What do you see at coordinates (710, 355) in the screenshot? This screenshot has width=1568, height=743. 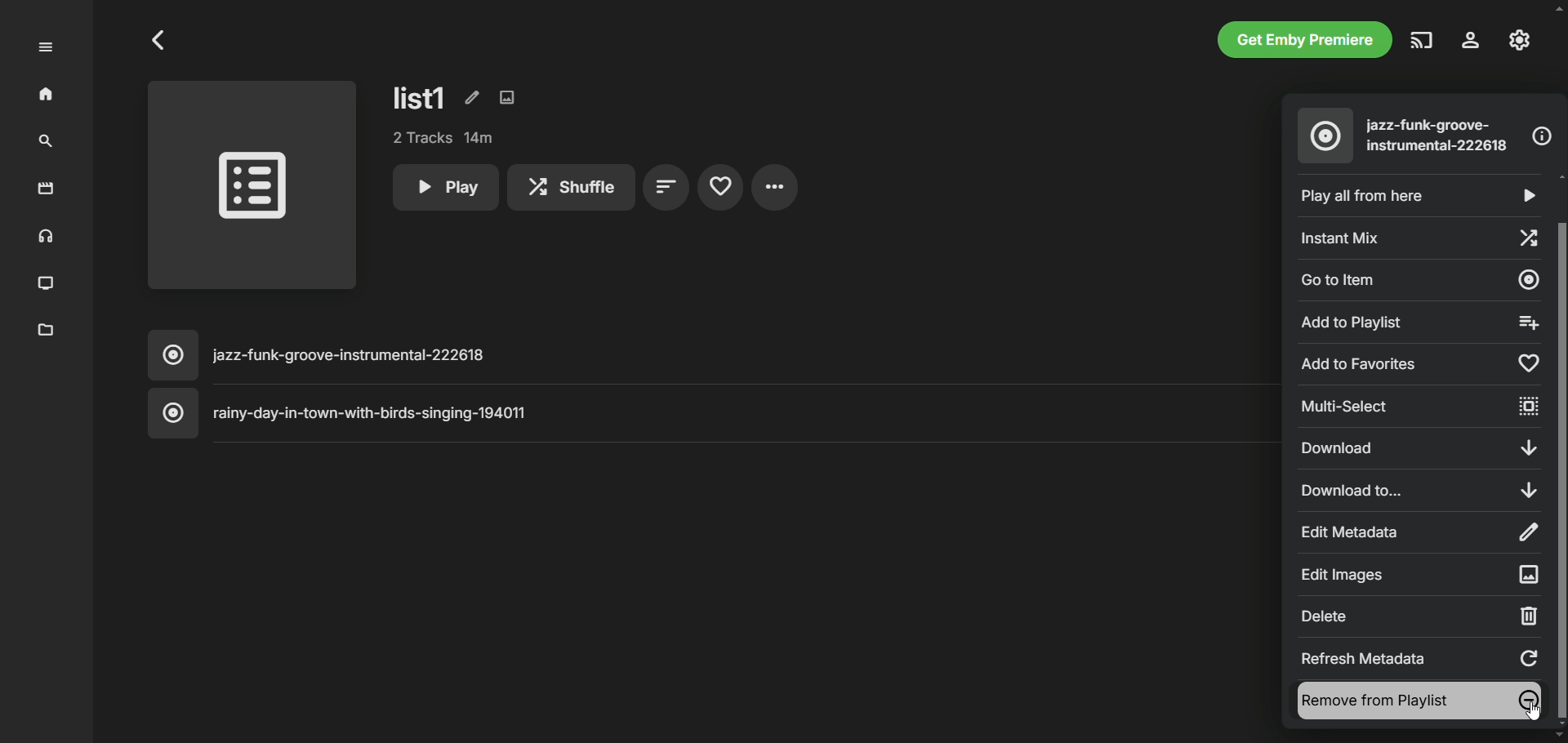 I see `music title` at bounding box center [710, 355].